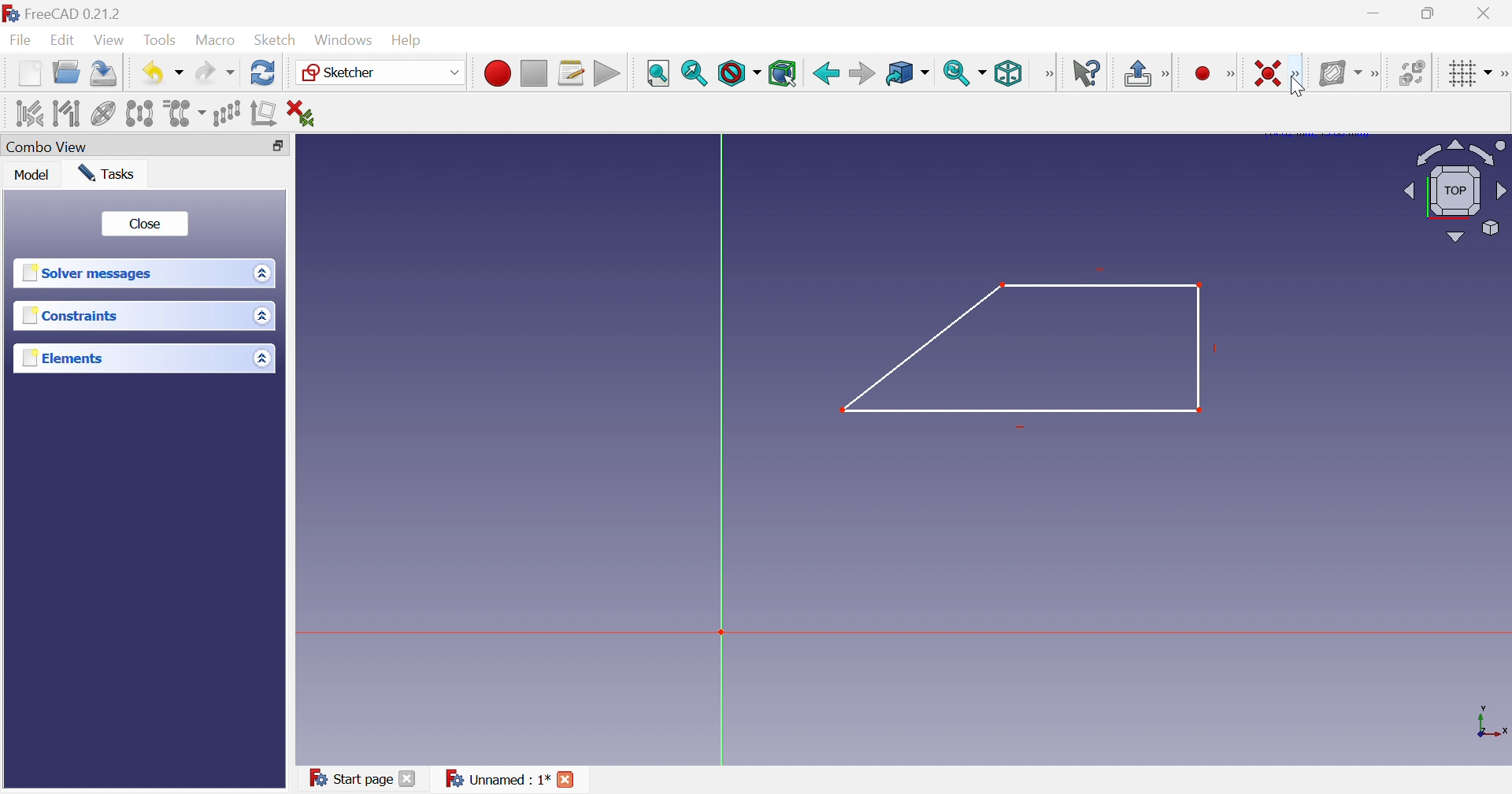  I want to click on Elements, so click(61, 358).